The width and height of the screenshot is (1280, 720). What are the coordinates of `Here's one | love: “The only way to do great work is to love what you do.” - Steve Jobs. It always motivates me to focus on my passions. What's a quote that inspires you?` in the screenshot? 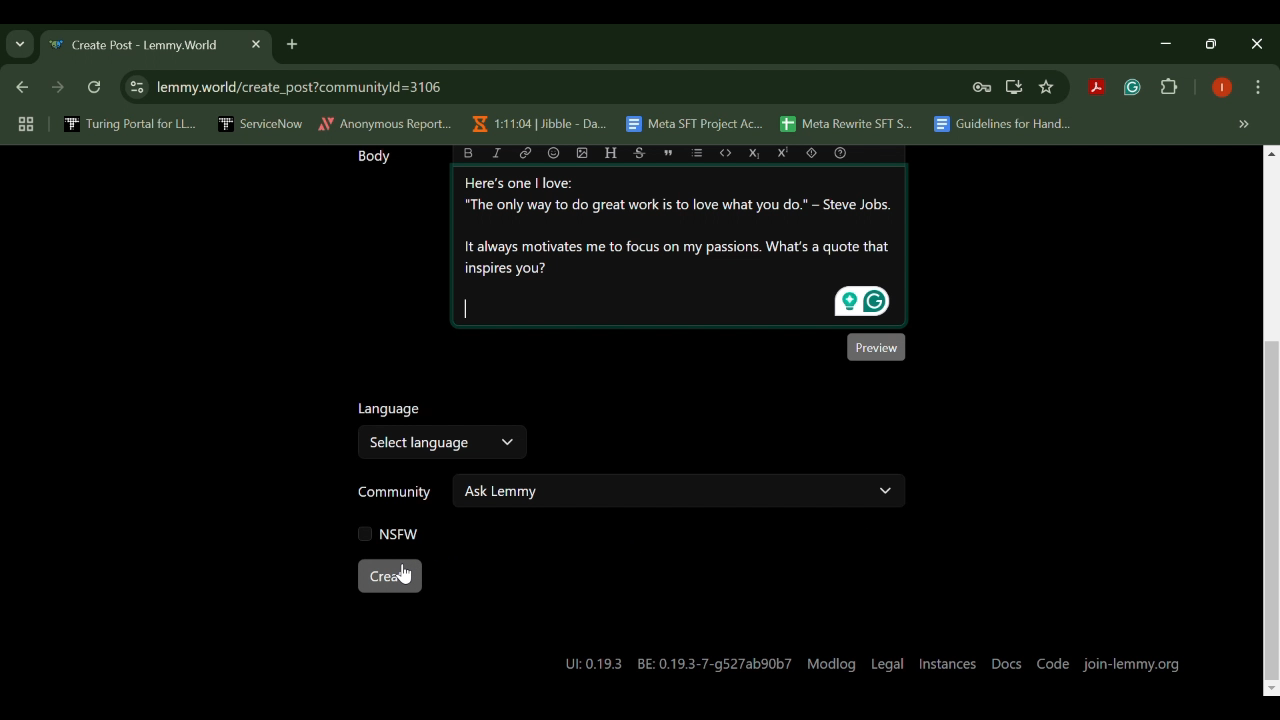 It's located at (682, 247).